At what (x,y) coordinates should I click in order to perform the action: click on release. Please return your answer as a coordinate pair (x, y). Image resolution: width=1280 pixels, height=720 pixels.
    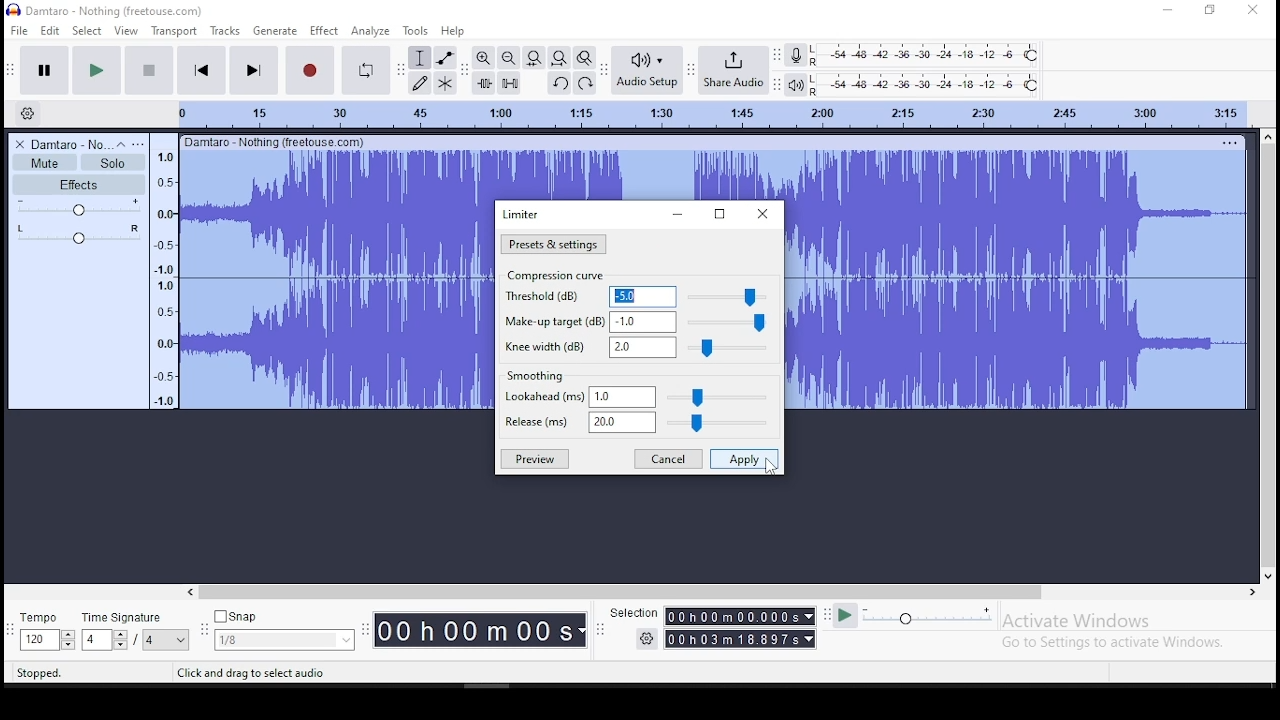
    Looking at the image, I should click on (641, 424).